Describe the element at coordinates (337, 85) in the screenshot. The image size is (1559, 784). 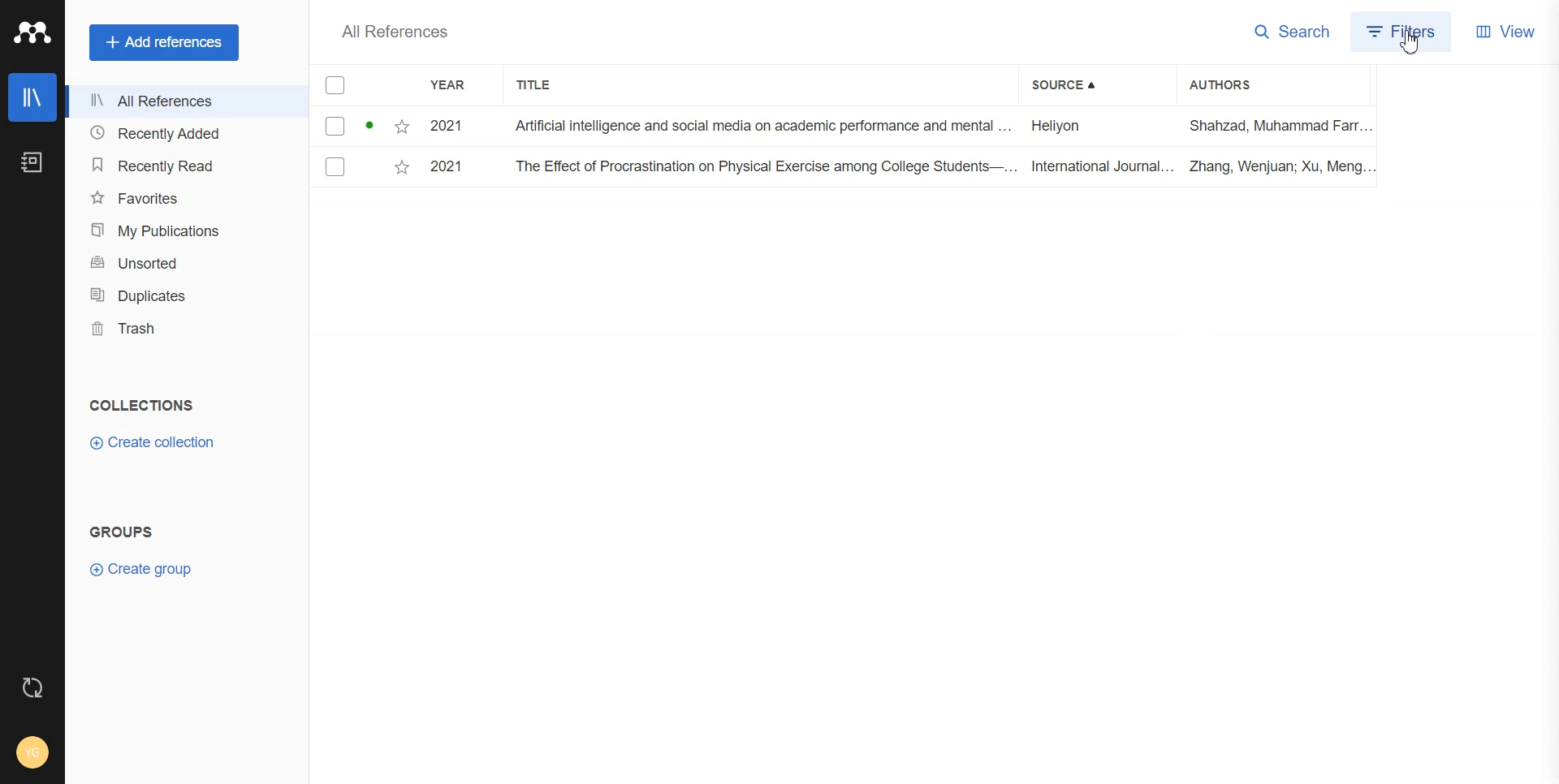
I see `Checkmarks` at that location.